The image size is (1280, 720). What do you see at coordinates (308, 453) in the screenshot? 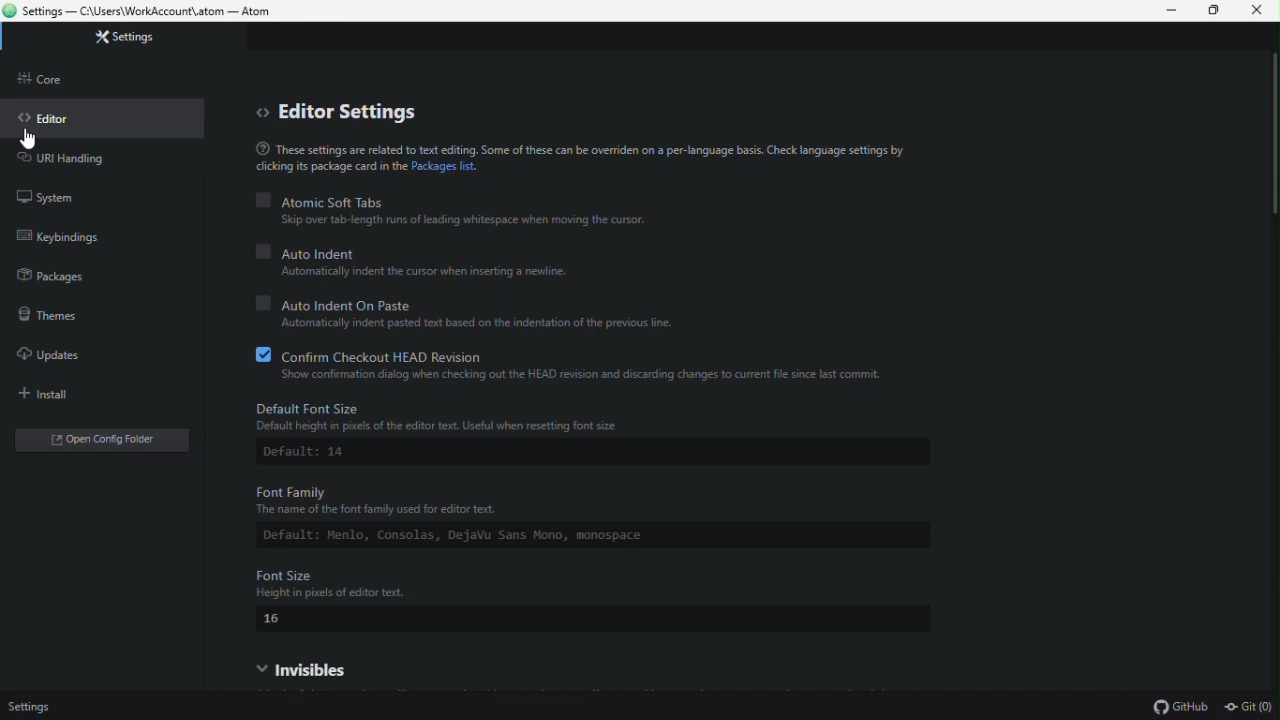
I see `Default: 14` at bounding box center [308, 453].